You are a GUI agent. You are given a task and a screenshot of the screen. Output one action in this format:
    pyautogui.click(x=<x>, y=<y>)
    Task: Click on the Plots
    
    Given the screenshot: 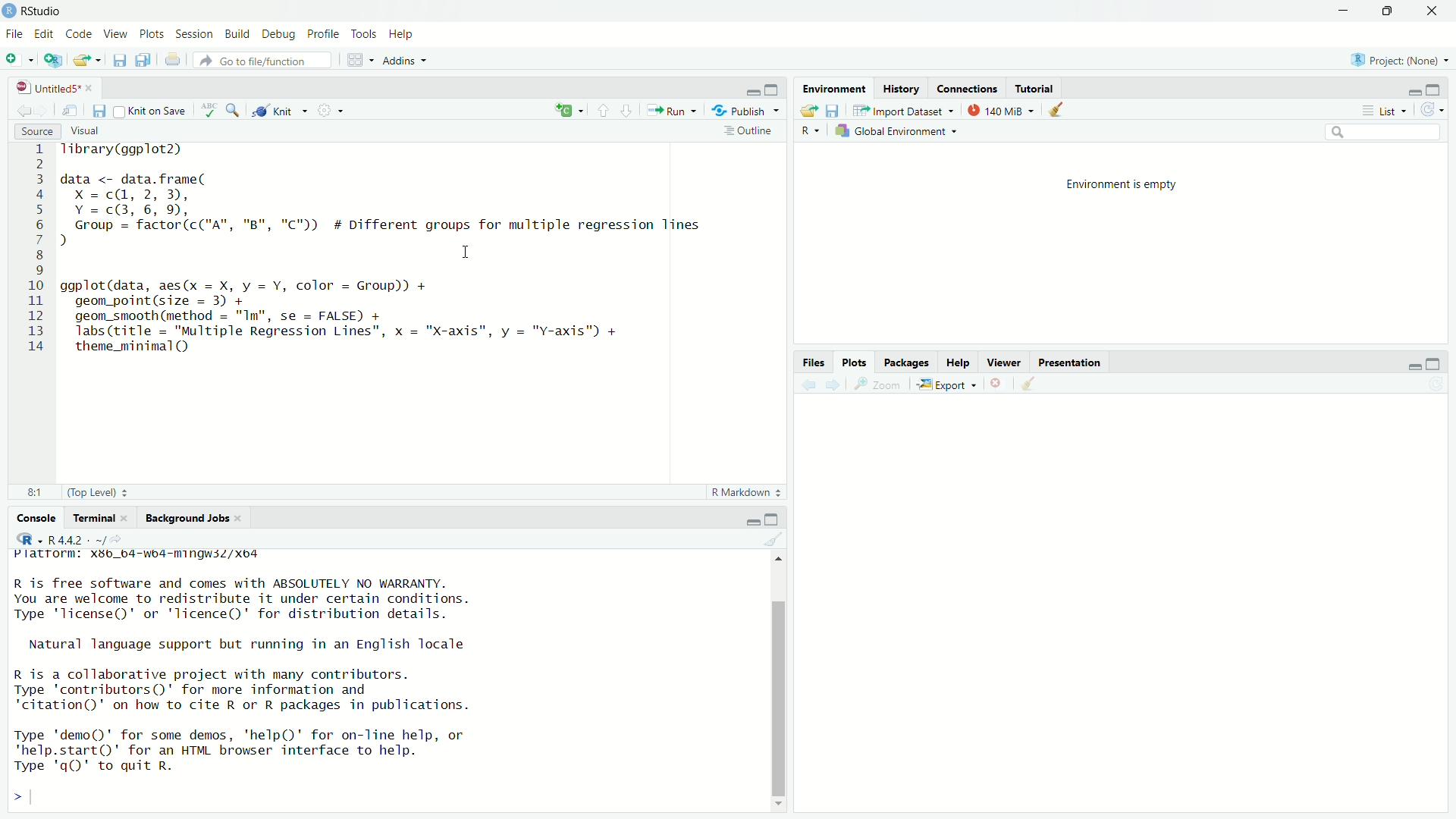 What is the action you would take?
    pyautogui.click(x=851, y=361)
    